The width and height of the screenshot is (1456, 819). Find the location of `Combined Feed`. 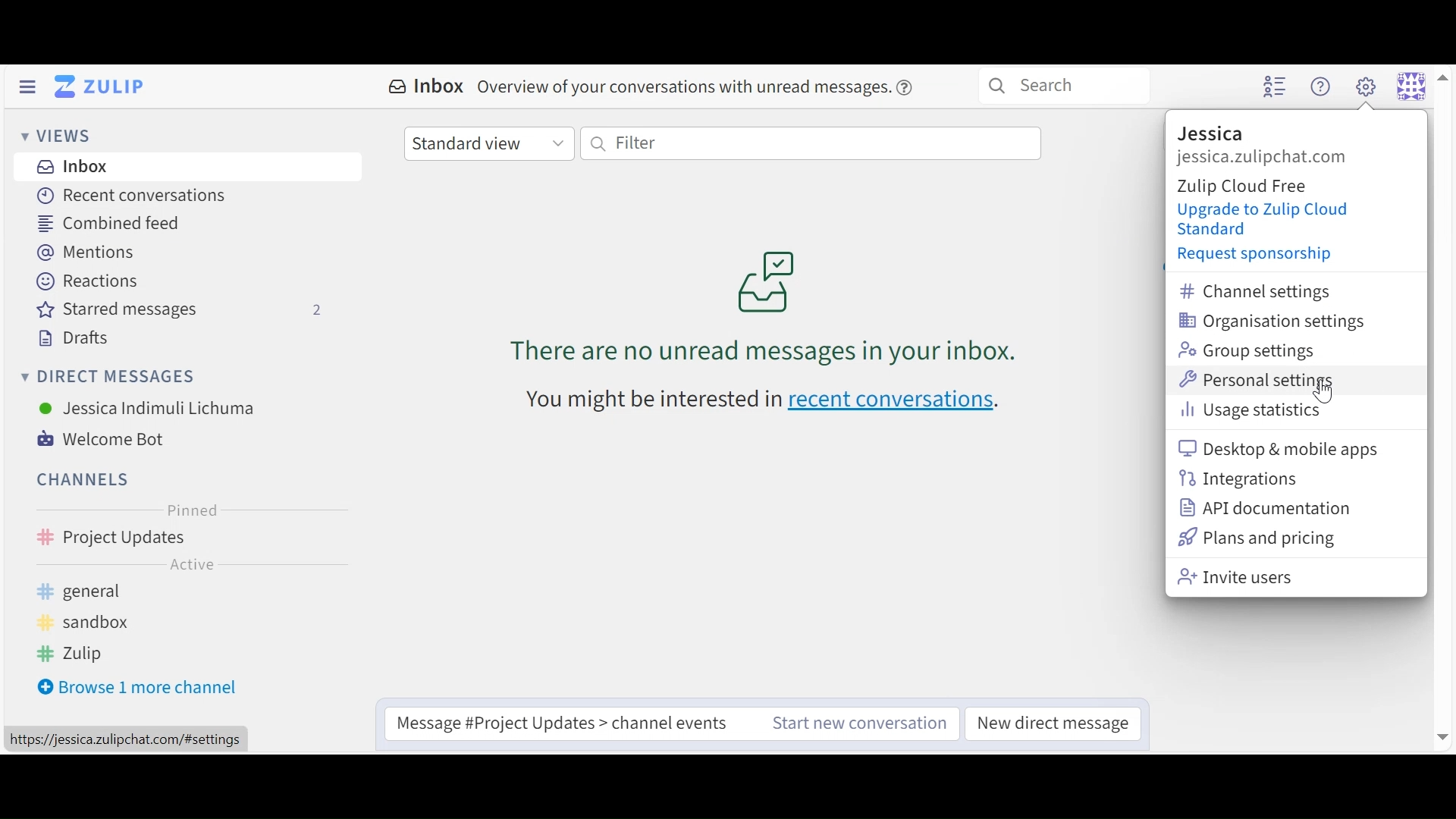

Combined Feed is located at coordinates (113, 222).